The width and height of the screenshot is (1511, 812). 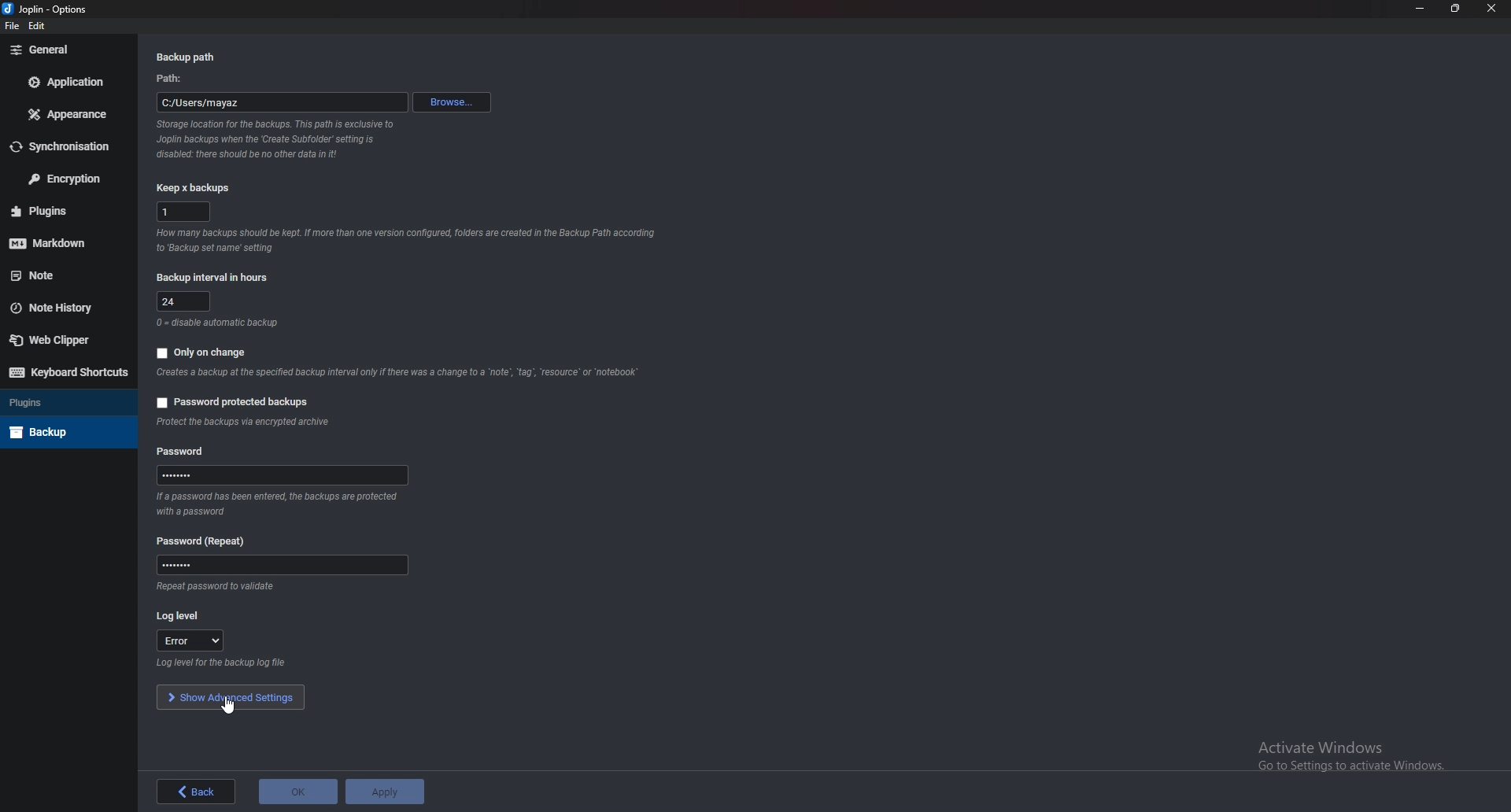 What do you see at coordinates (65, 308) in the screenshot?
I see `Note history` at bounding box center [65, 308].